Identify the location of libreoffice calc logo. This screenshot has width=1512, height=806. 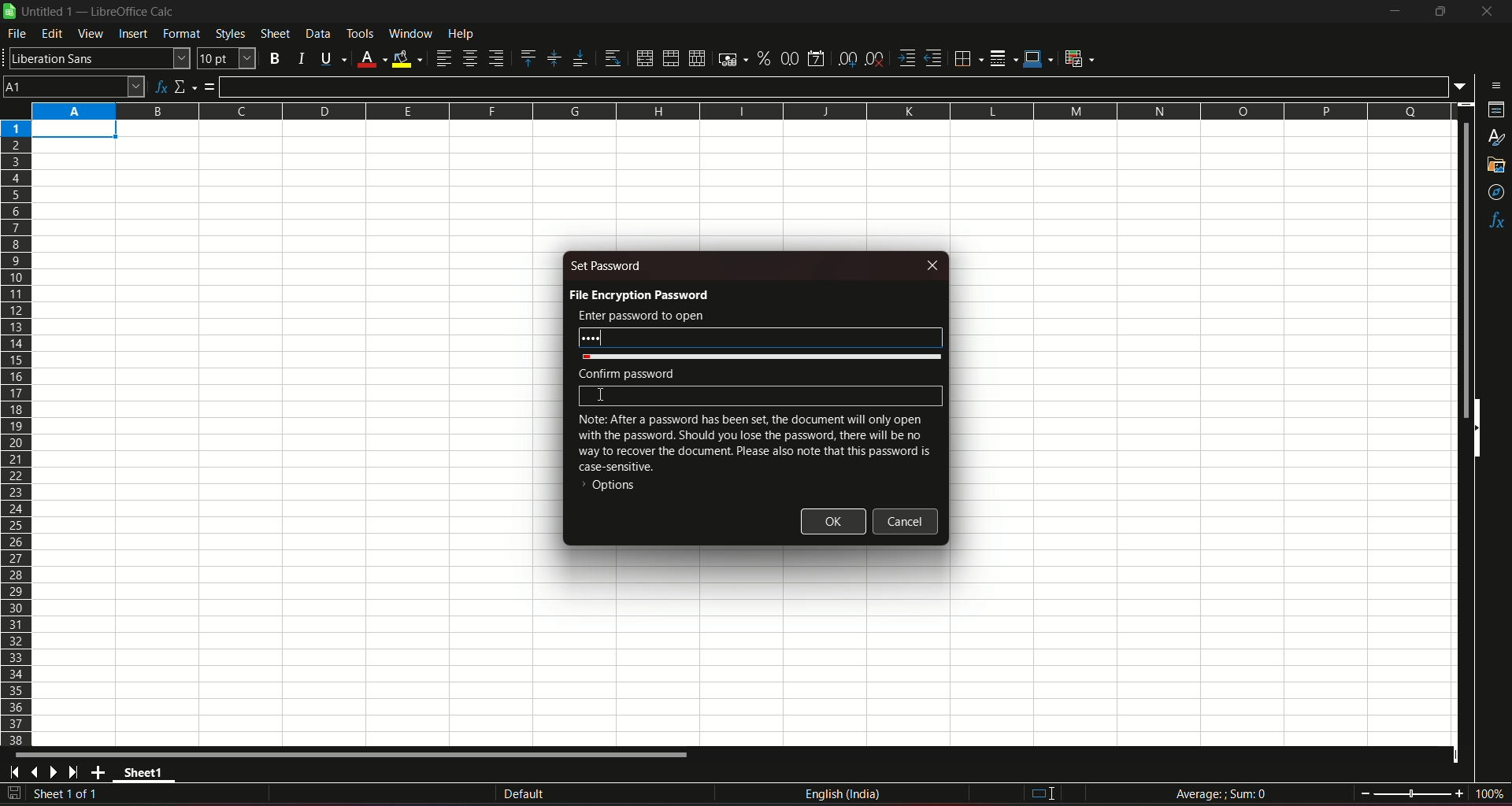
(9, 12).